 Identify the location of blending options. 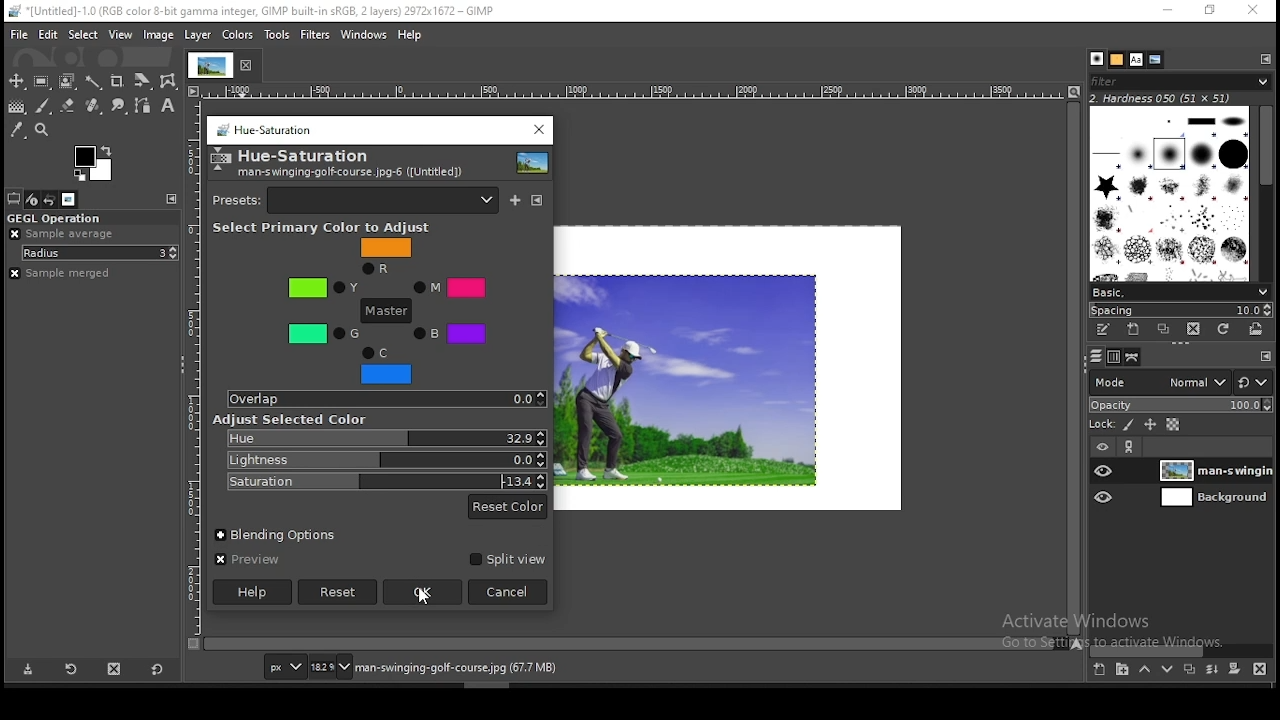
(280, 536).